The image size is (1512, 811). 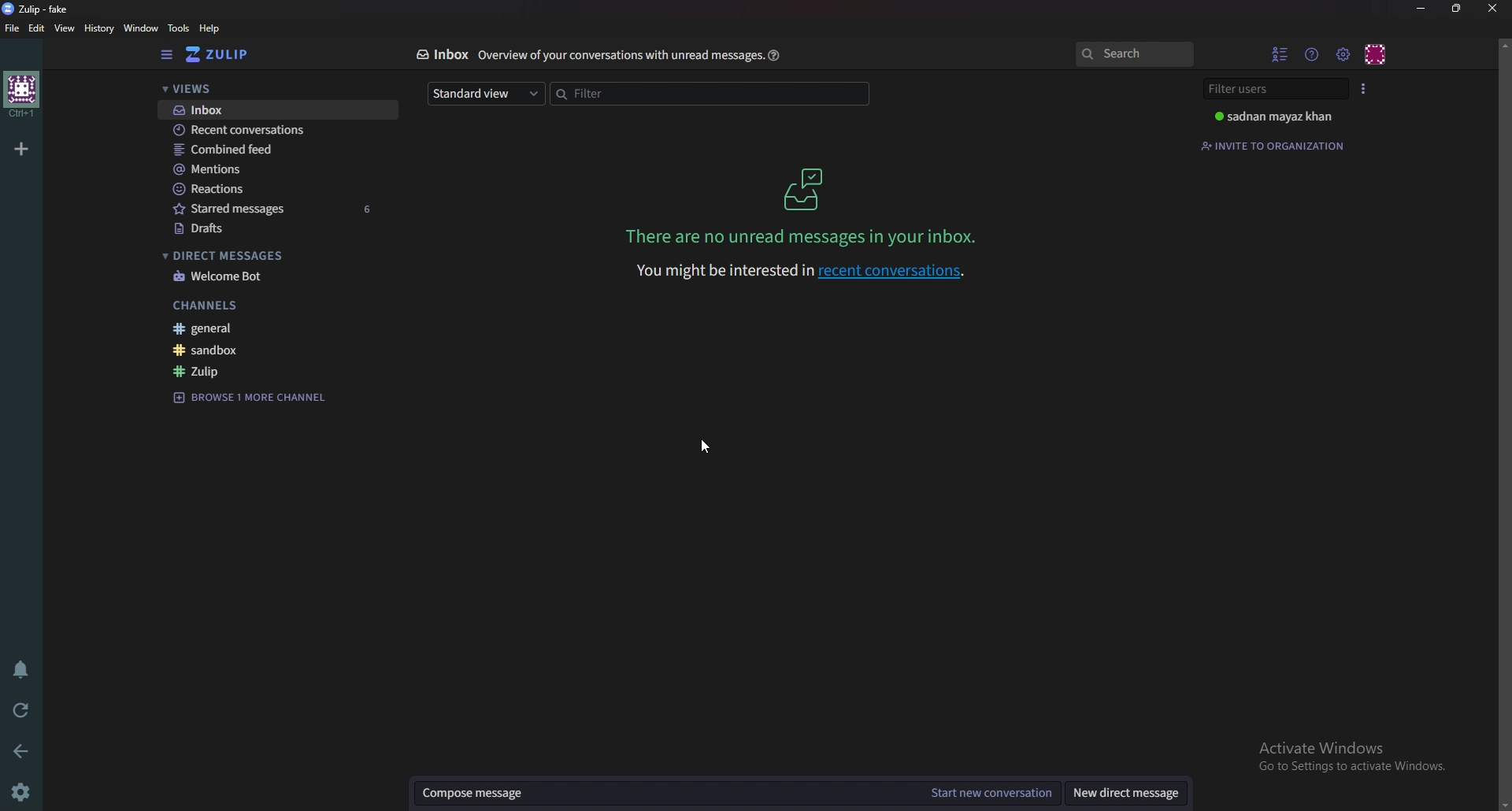 What do you see at coordinates (1457, 9) in the screenshot?
I see `Resize` at bounding box center [1457, 9].